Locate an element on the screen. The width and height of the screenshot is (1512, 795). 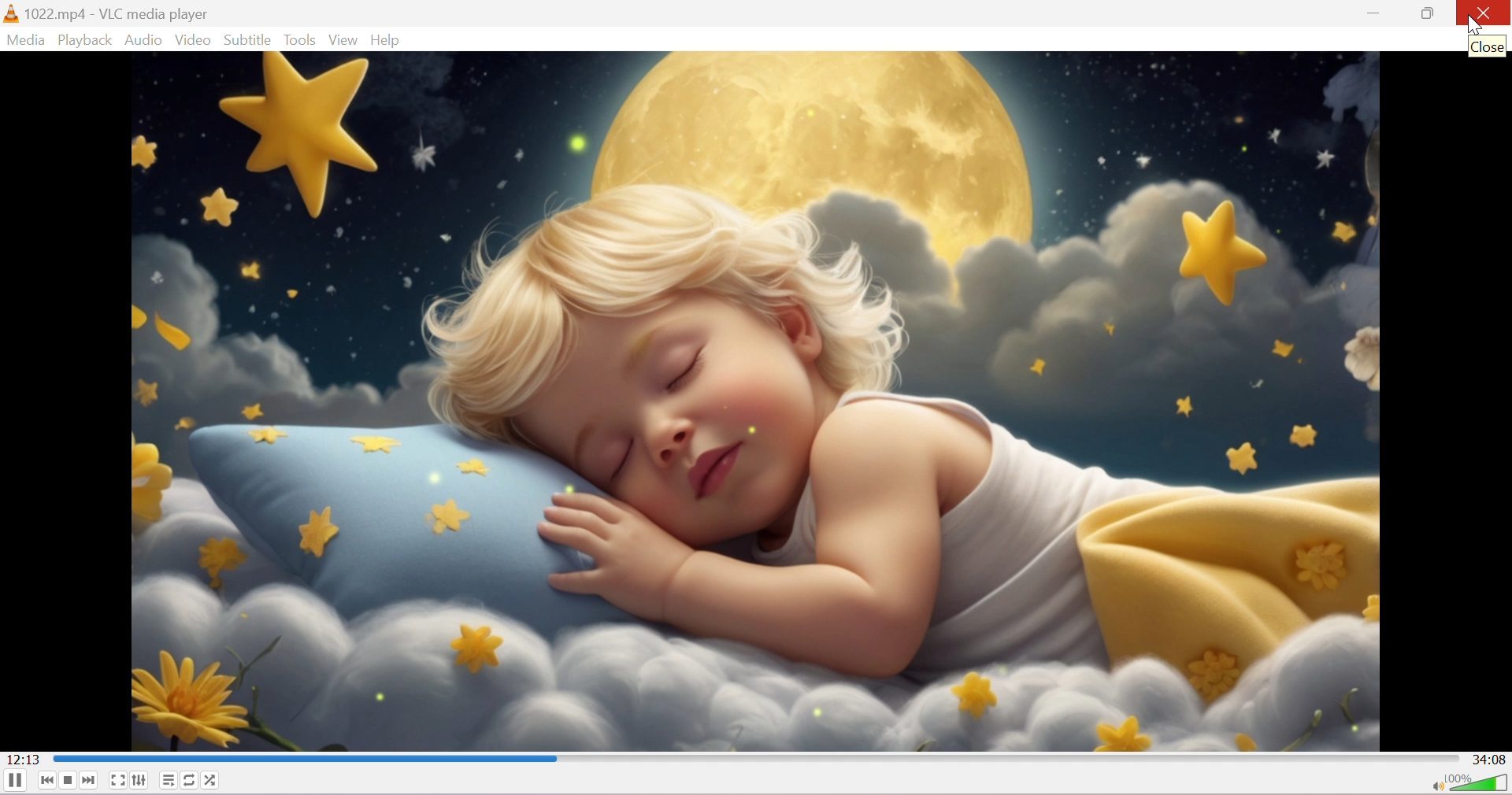
cursor is located at coordinates (1473, 25).